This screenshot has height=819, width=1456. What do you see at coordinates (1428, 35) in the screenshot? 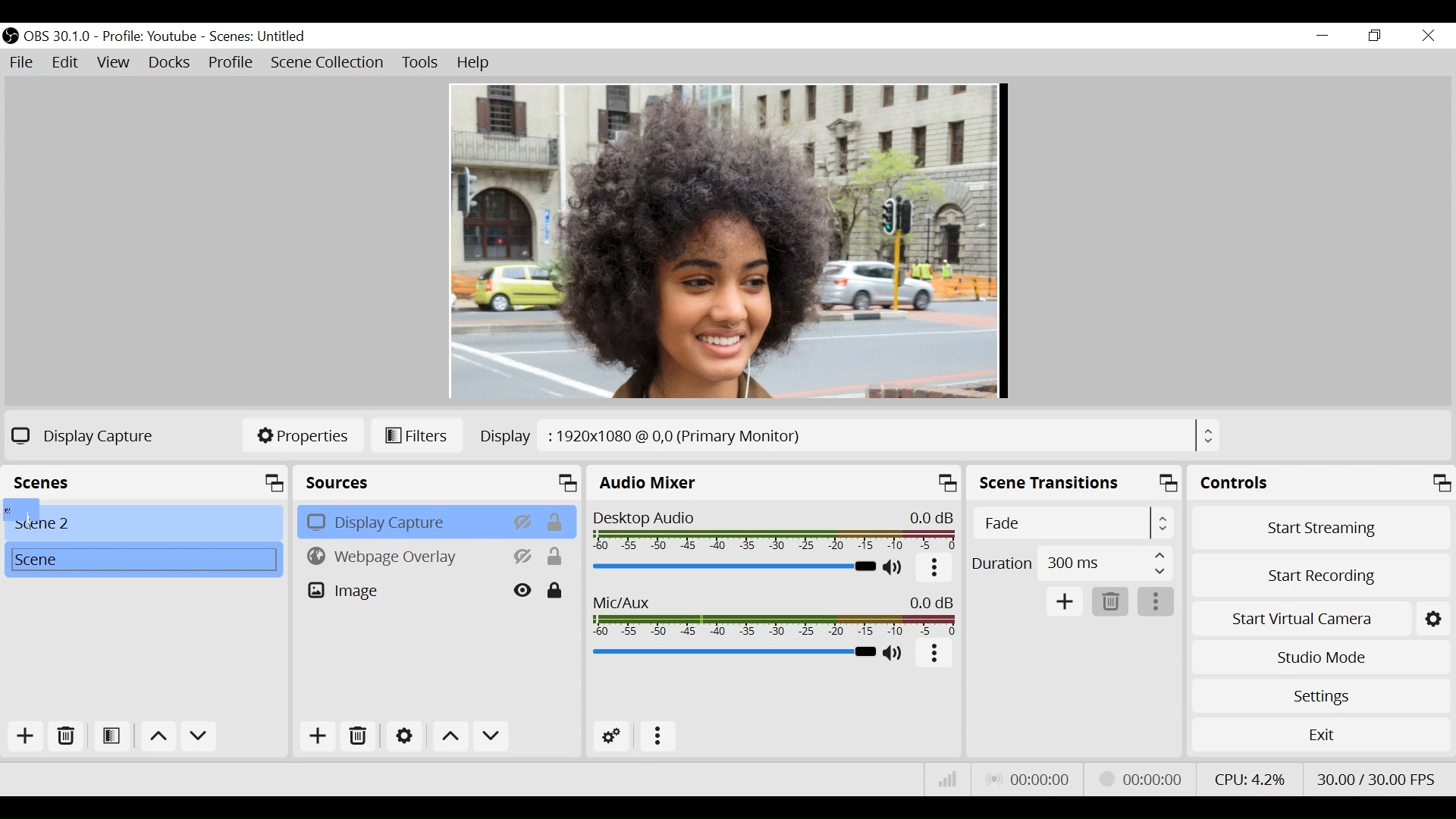
I see `Close` at bounding box center [1428, 35].